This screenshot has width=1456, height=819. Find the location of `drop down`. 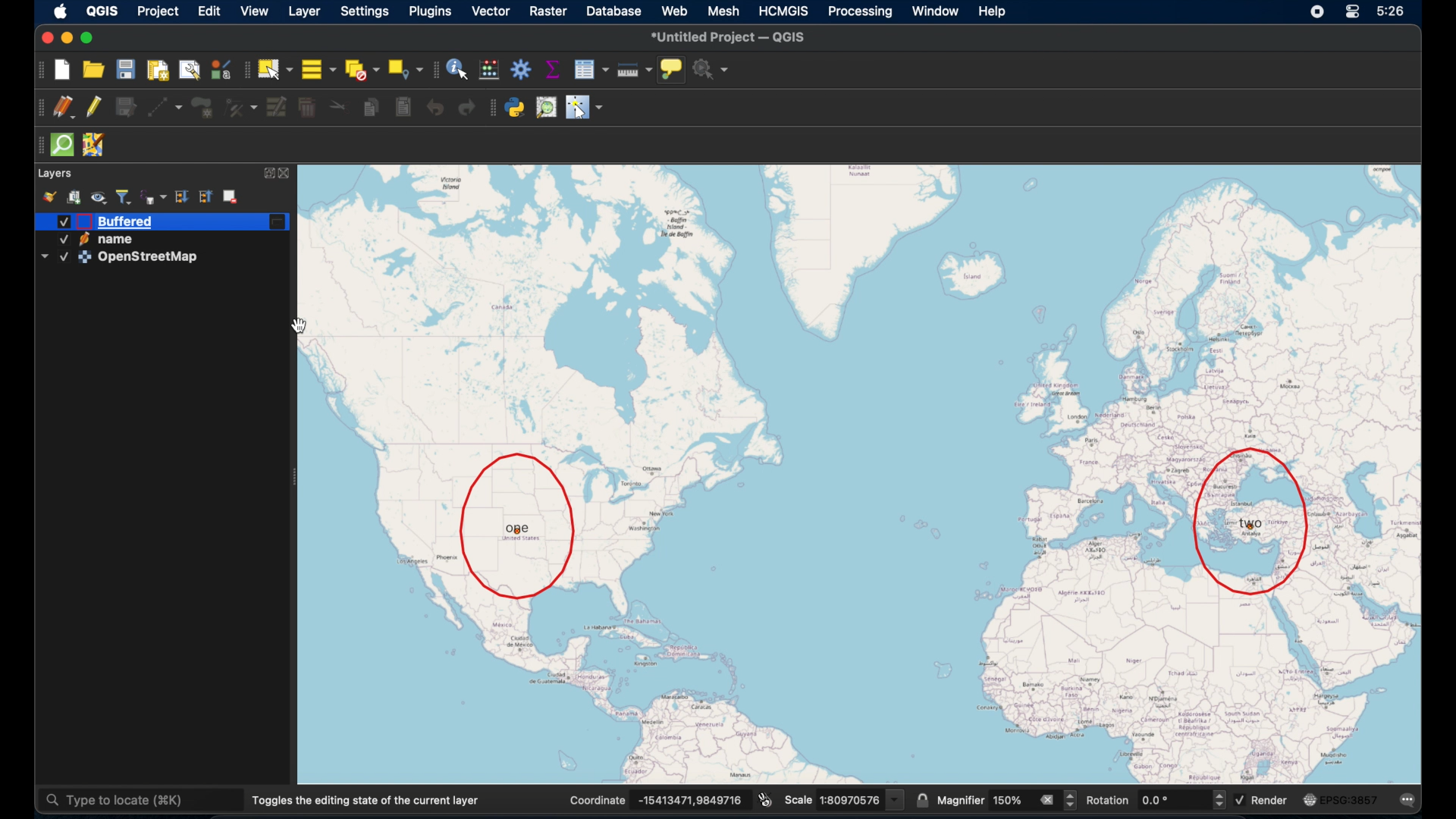

drop down is located at coordinates (896, 799).